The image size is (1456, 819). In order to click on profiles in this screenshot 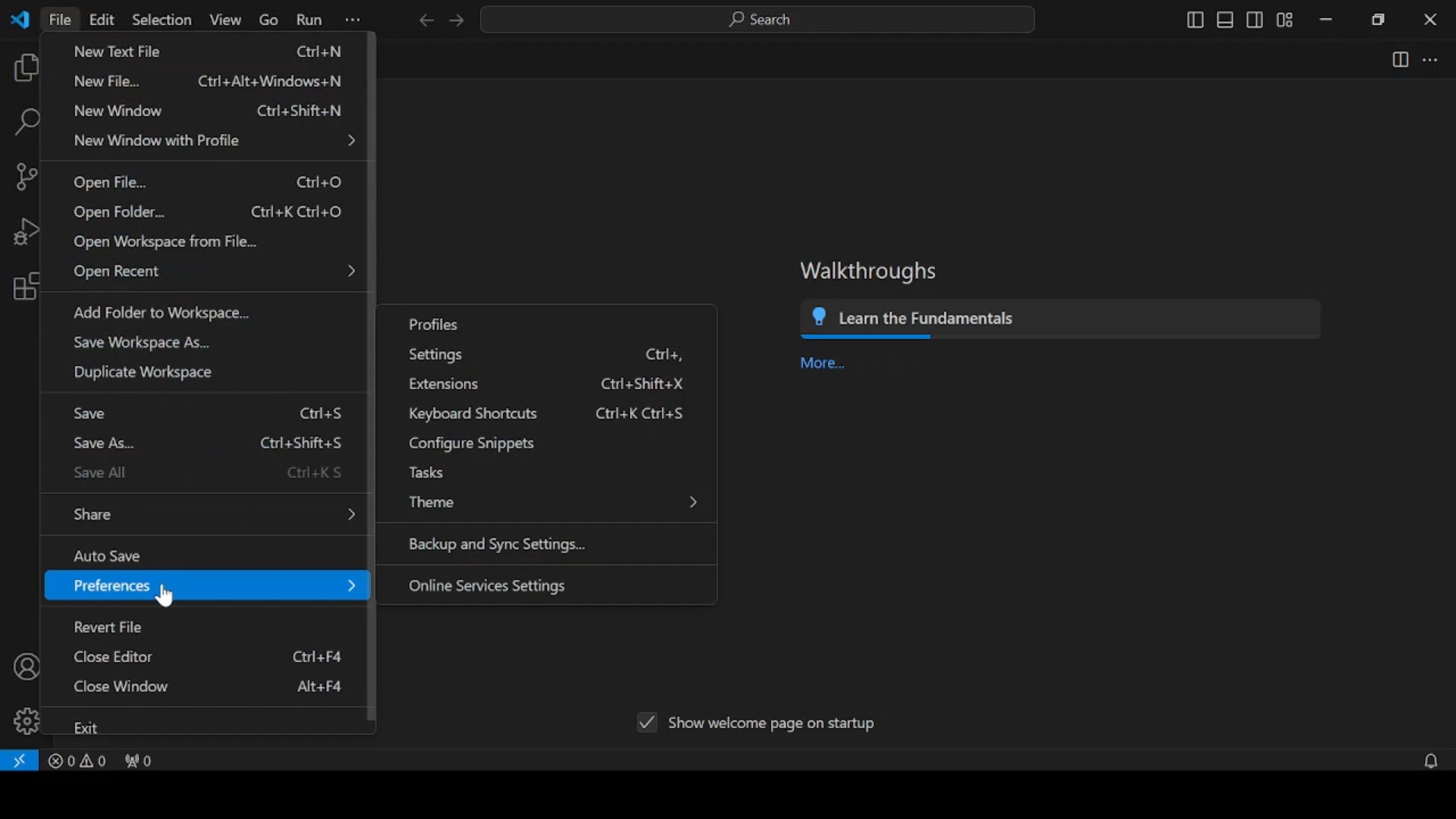, I will do `click(436, 324)`.